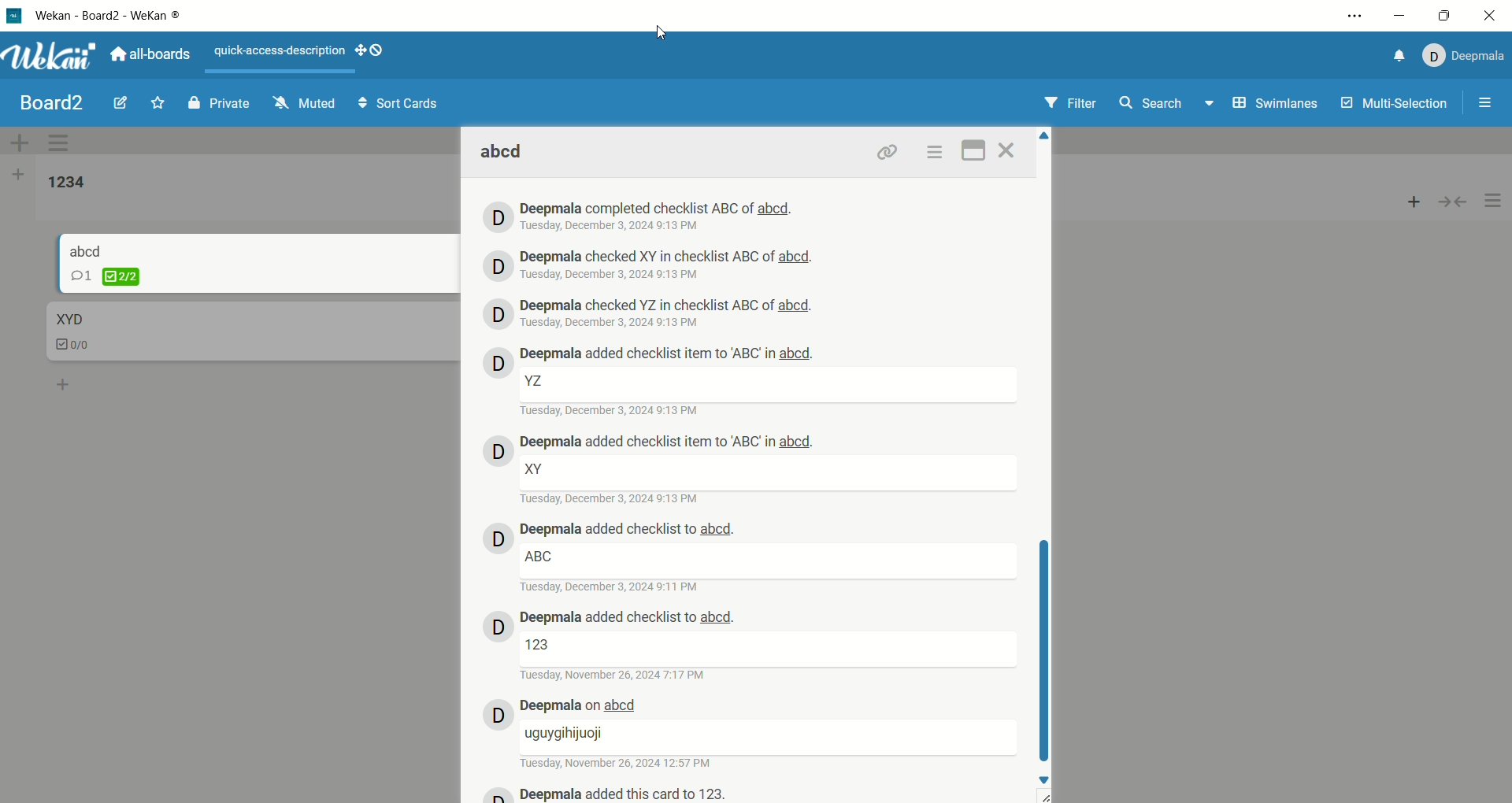 This screenshot has height=803, width=1512. I want to click on date and time, so click(612, 499).